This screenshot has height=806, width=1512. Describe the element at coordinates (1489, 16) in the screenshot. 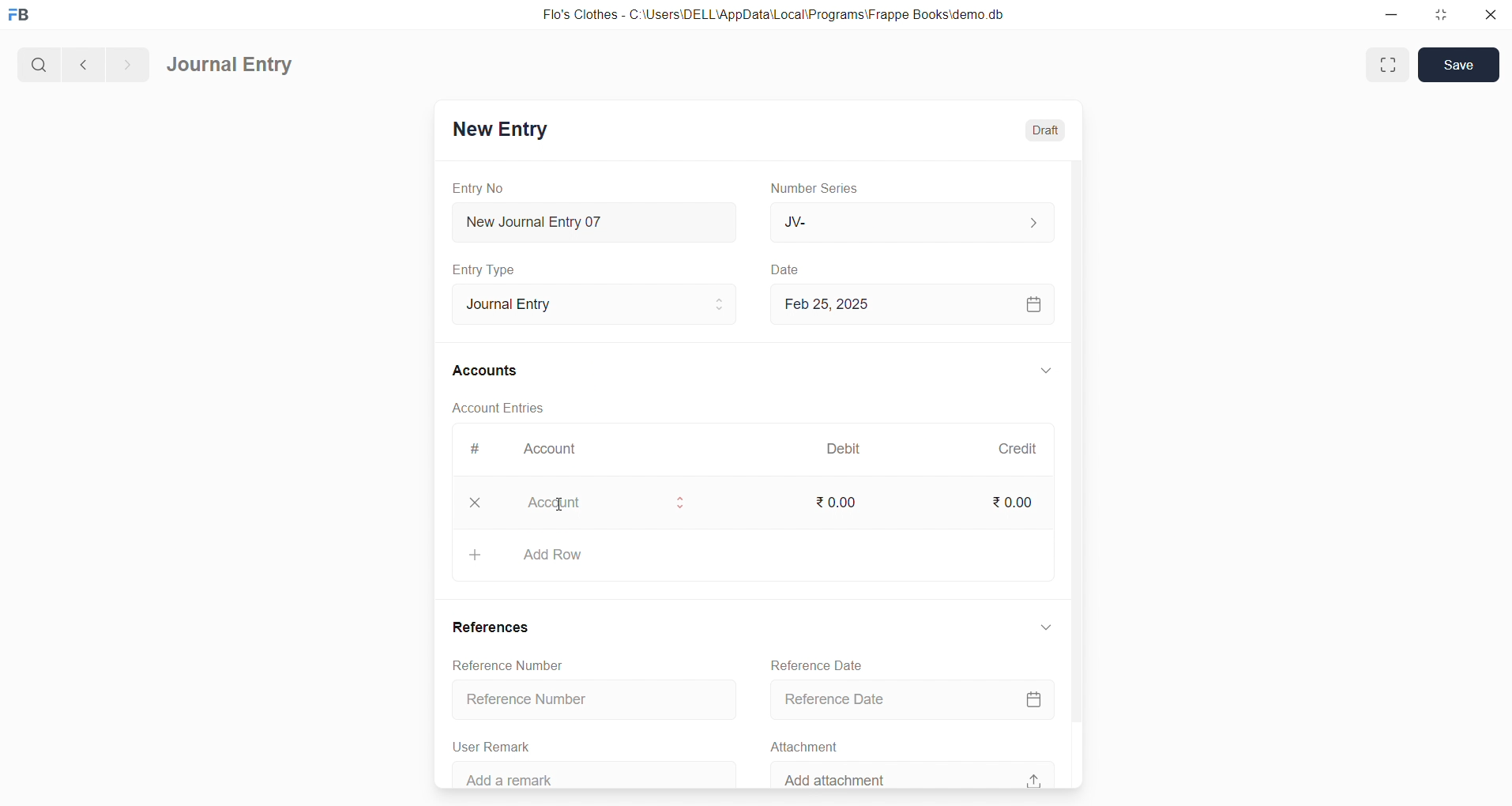

I see `close` at that location.